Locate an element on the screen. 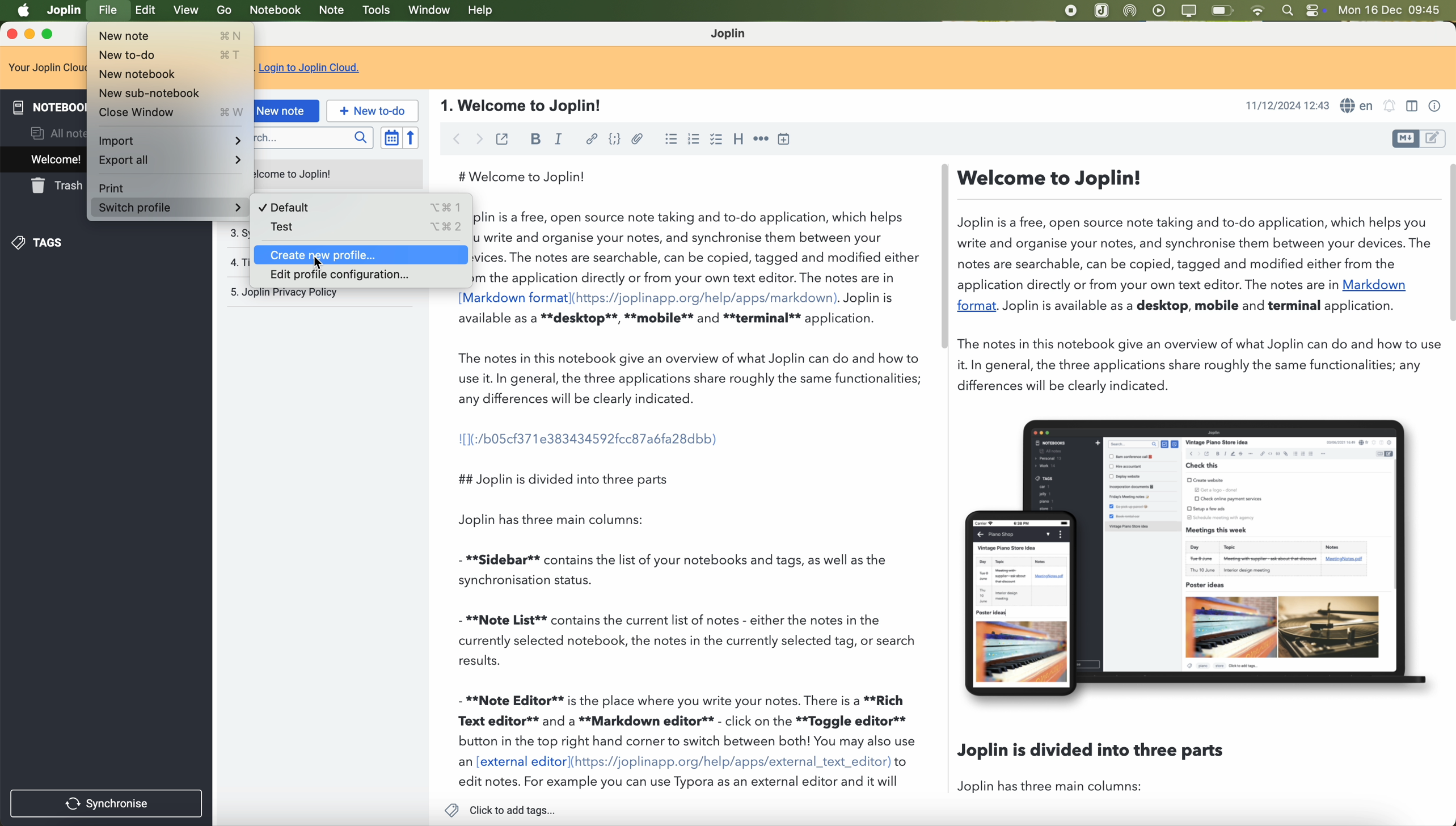 The height and width of the screenshot is (826, 1456). edit notes. For example you can use Typora as an external editor and it will is located at coordinates (680, 783).